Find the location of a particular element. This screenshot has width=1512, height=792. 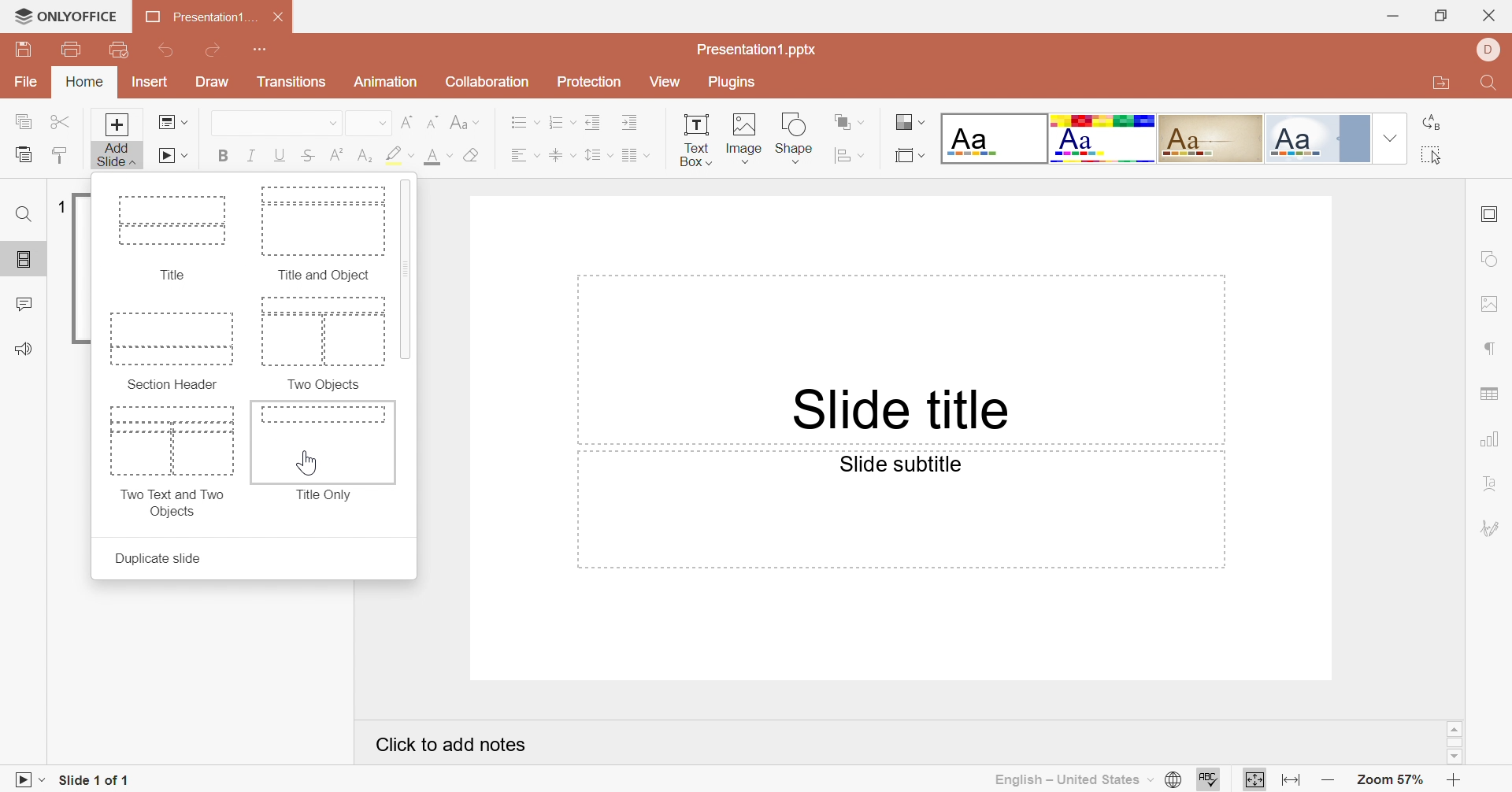

Image settings is located at coordinates (1487, 303).